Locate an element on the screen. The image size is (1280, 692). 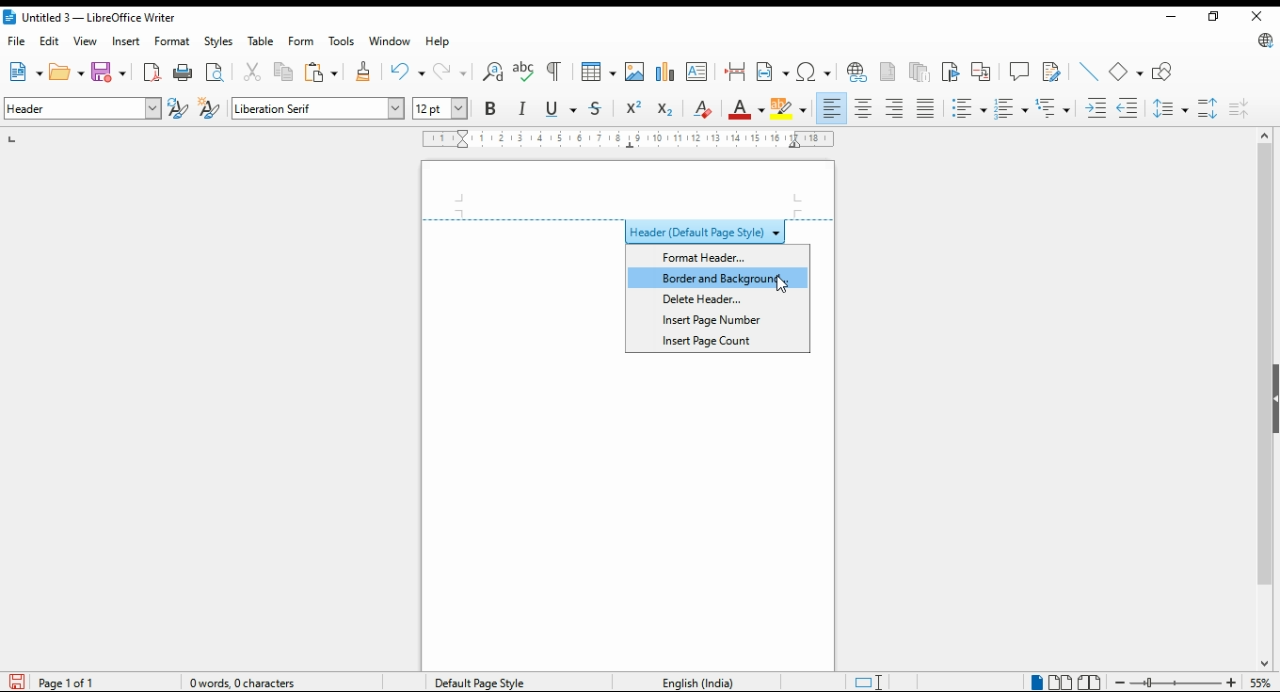
font is located at coordinates (318, 109).